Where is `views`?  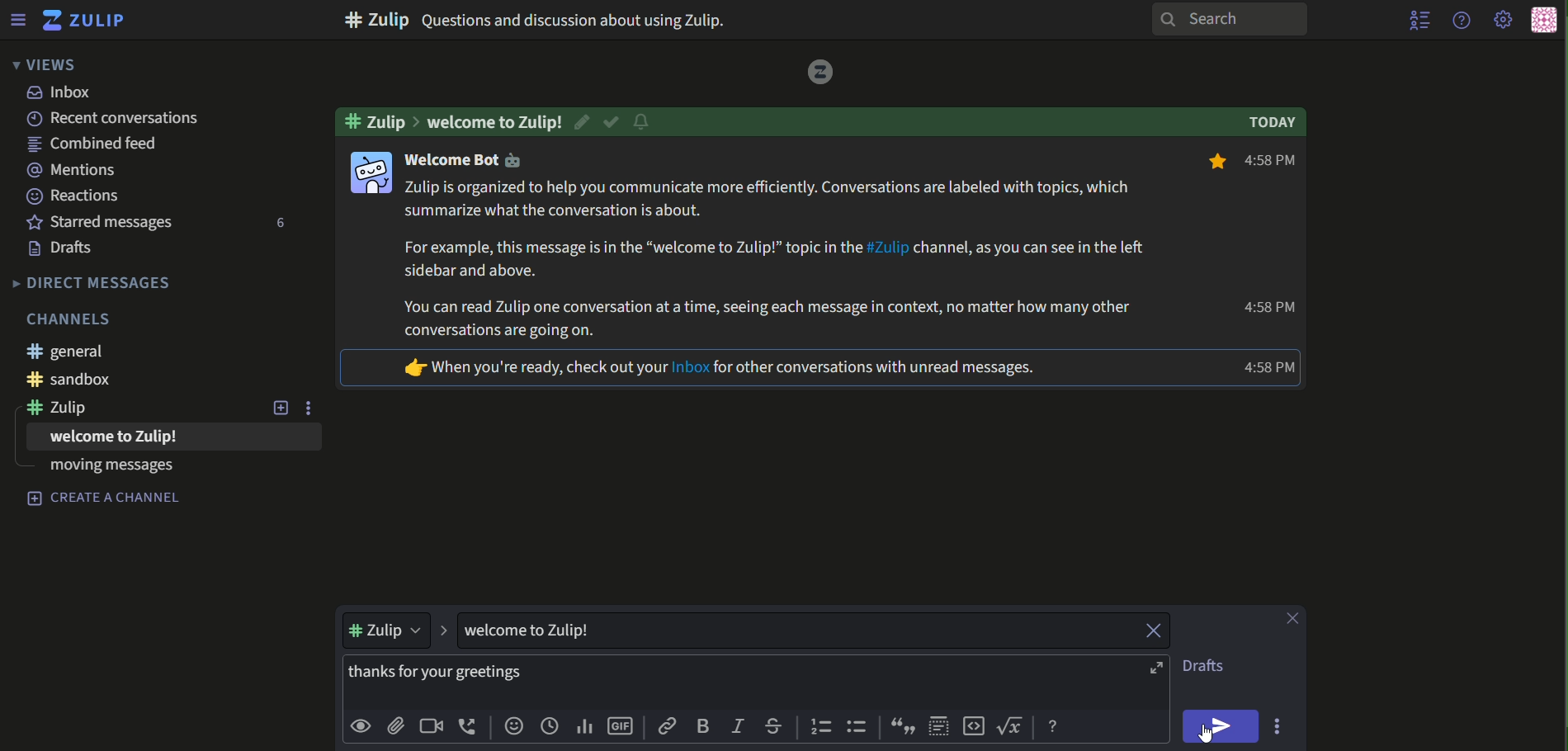 views is located at coordinates (42, 64).